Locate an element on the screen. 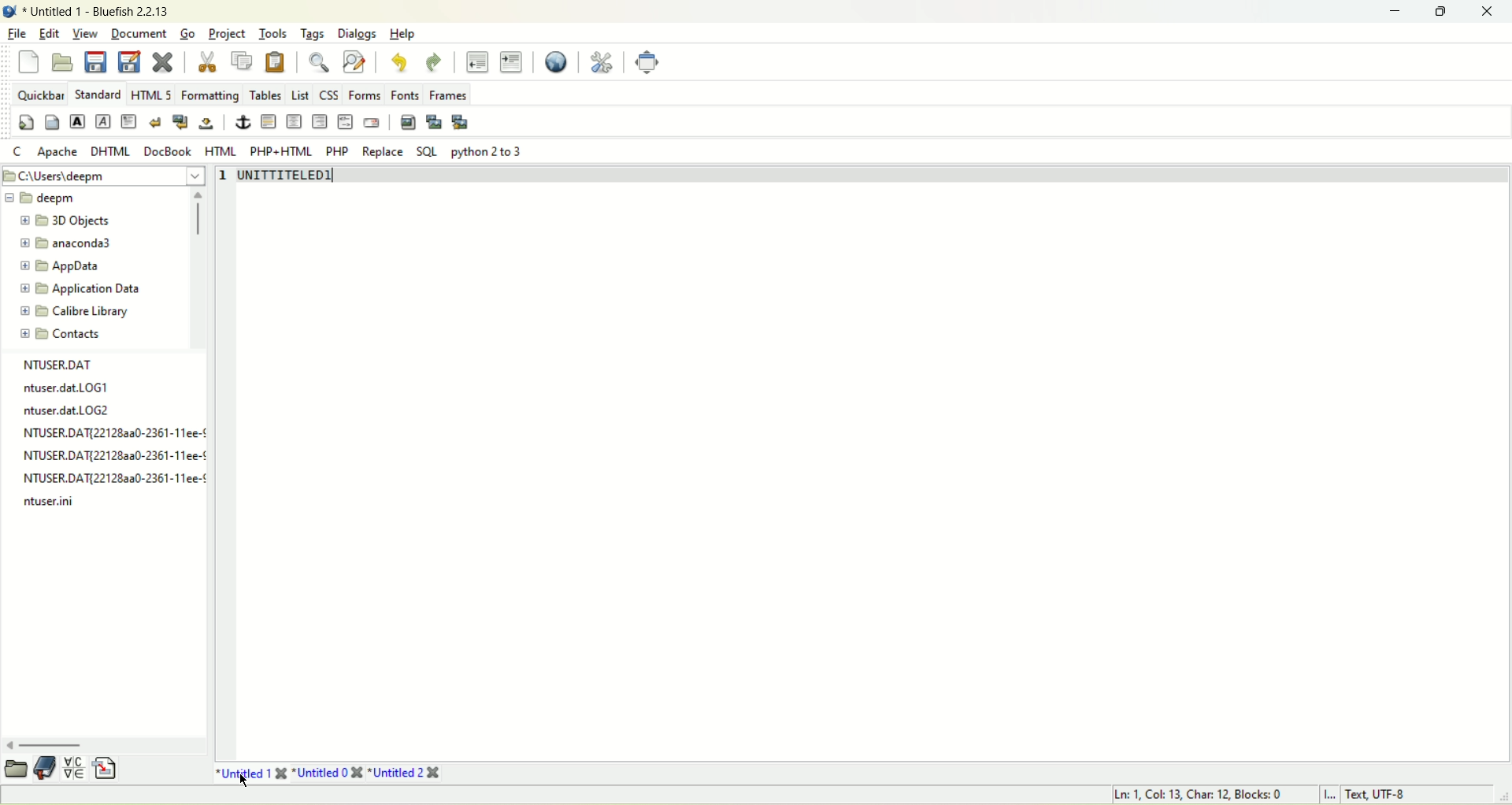 The height and width of the screenshot is (805, 1512). Untitled 2  is located at coordinates (407, 774).